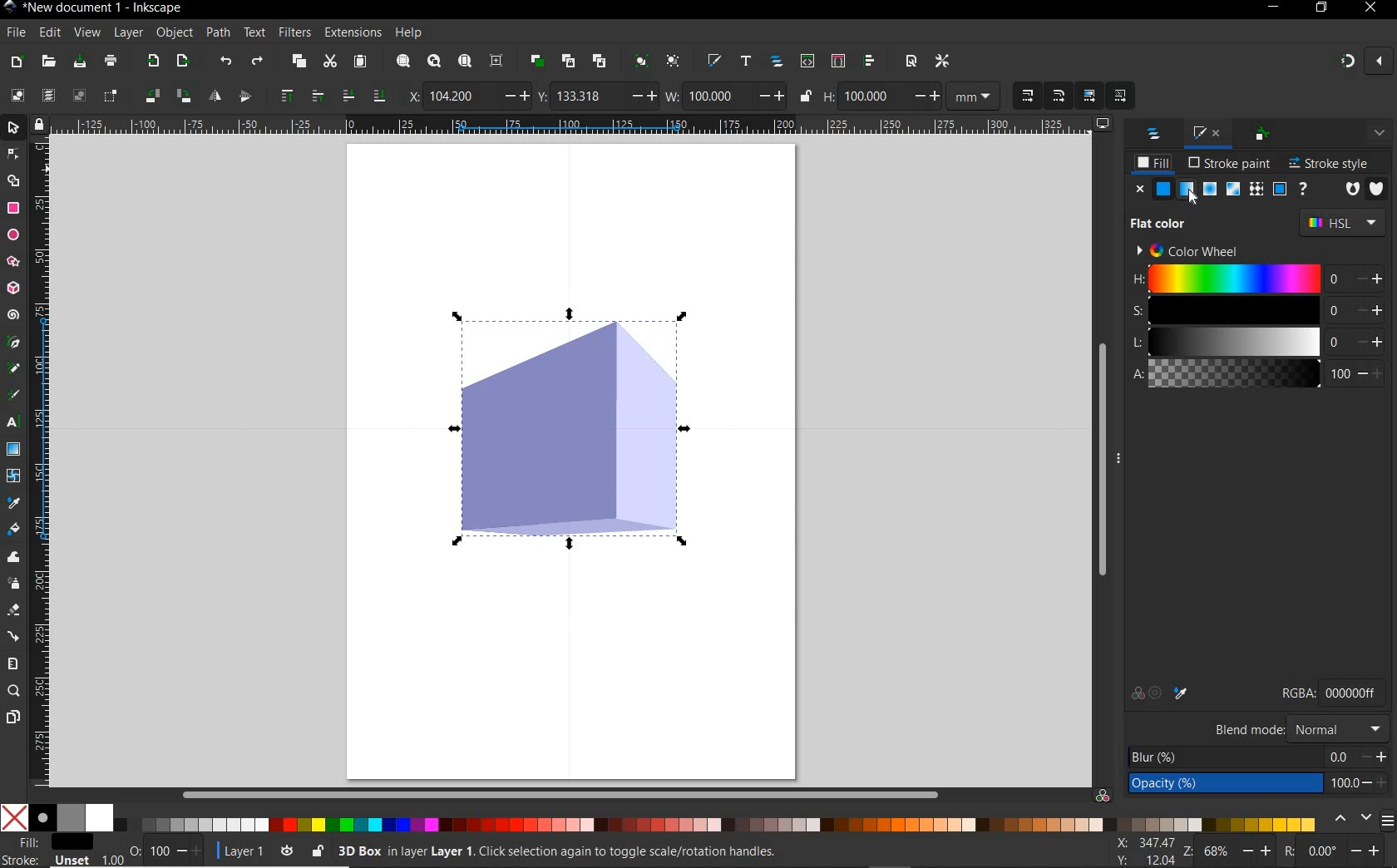 The image size is (1397, 868). Describe the element at coordinates (13, 314) in the screenshot. I see `SPIRAL TOOL` at that location.